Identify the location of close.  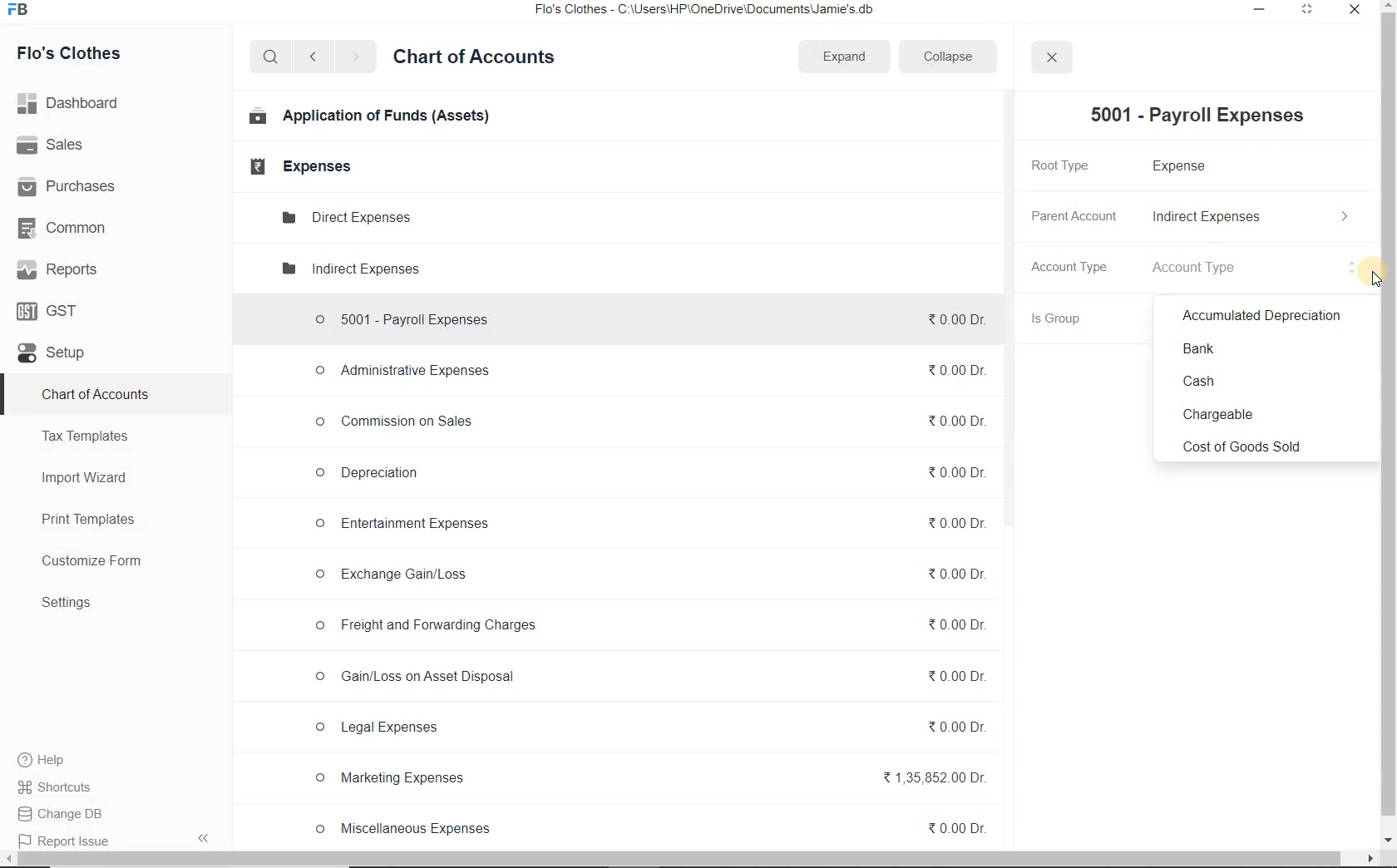
(1351, 10).